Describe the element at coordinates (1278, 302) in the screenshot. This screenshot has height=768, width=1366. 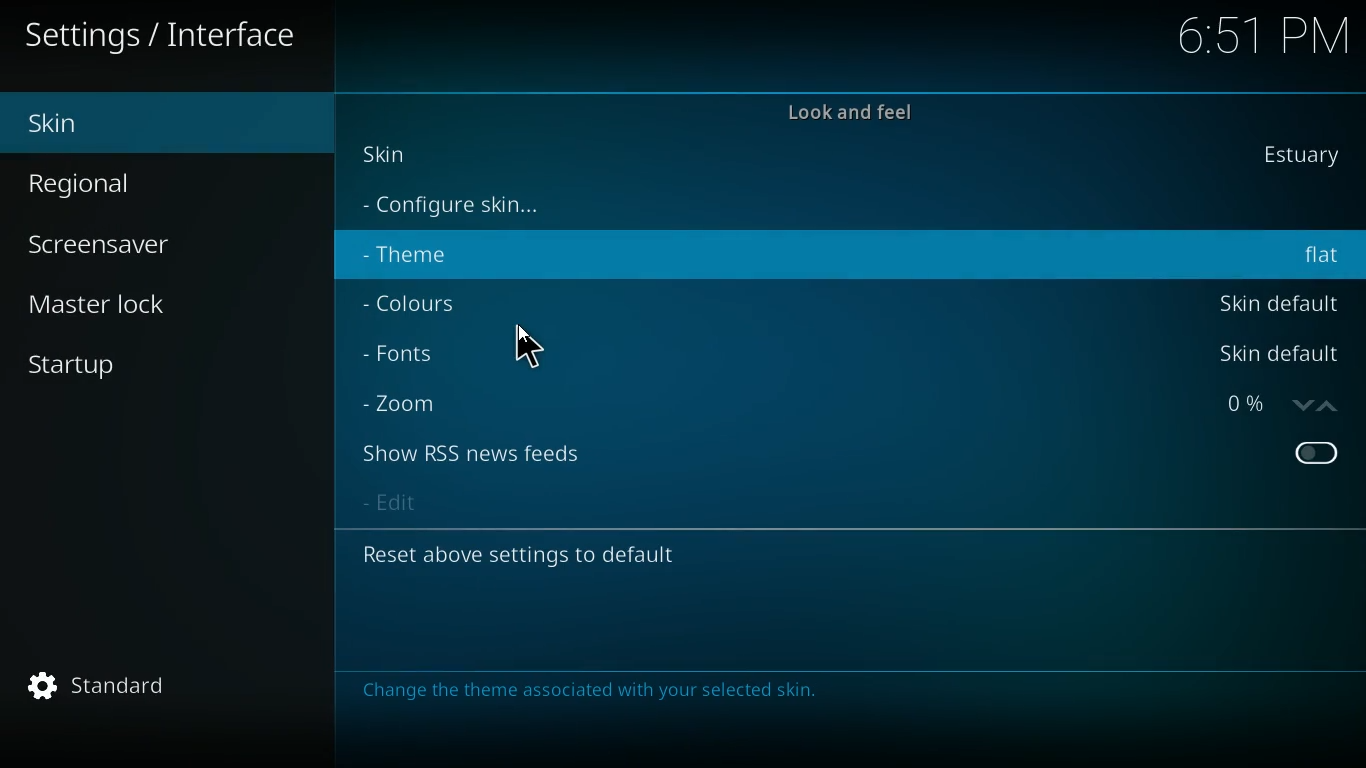
I see `skin default` at that location.